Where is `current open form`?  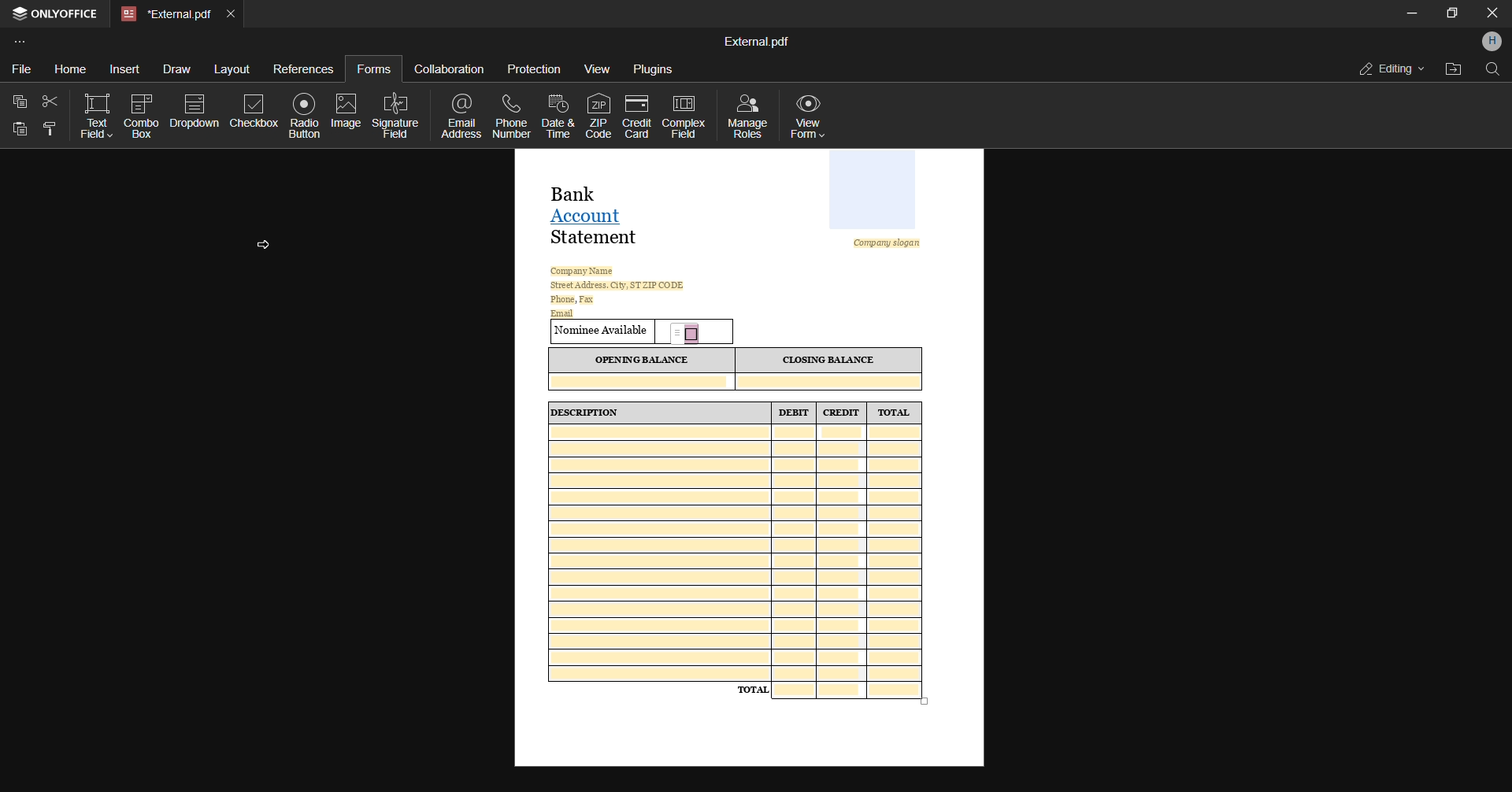
current open form is located at coordinates (750, 558).